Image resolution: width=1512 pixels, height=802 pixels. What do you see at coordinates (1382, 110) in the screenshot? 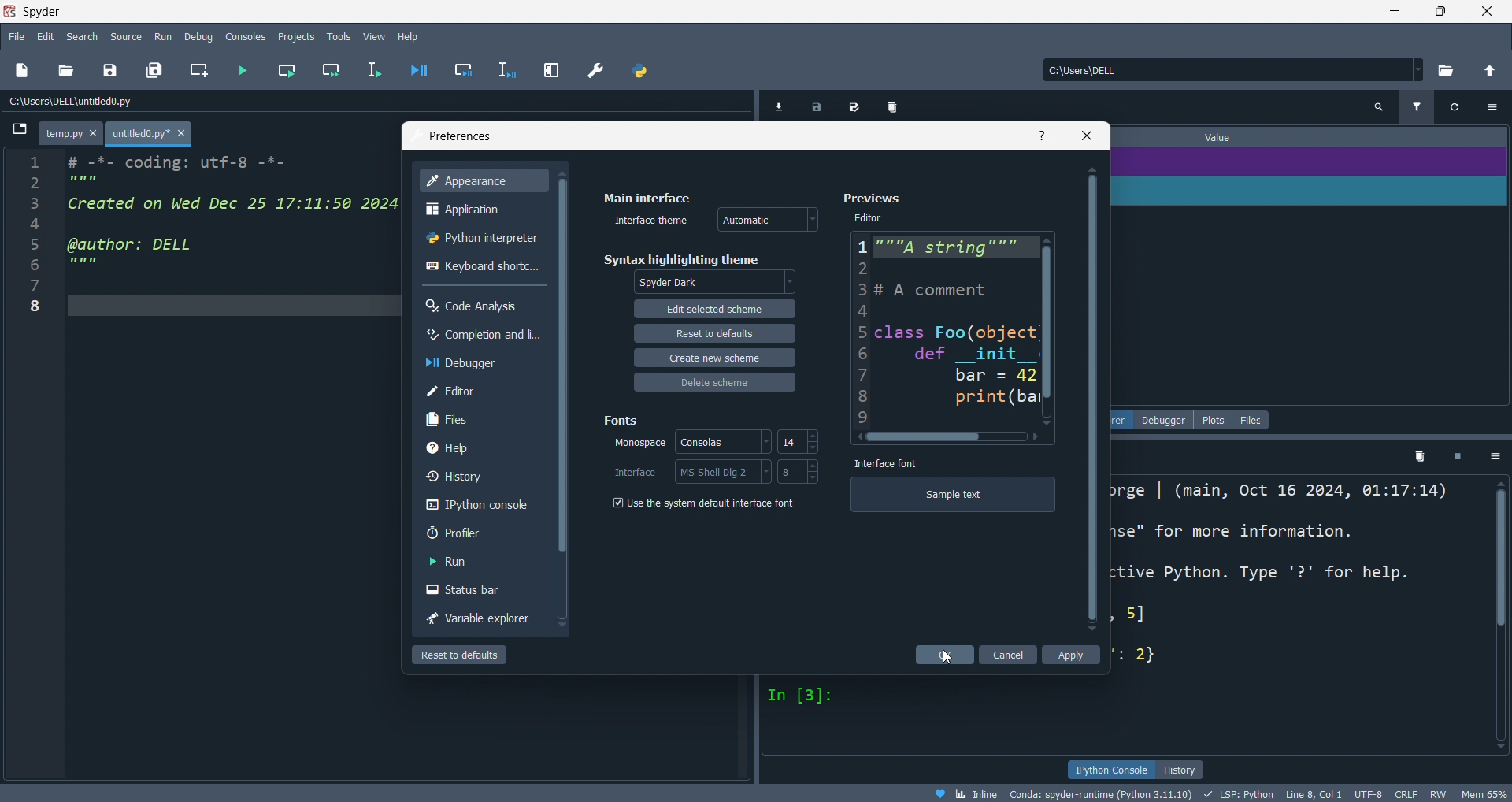
I see `search variables` at bounding box center [1382, 110].